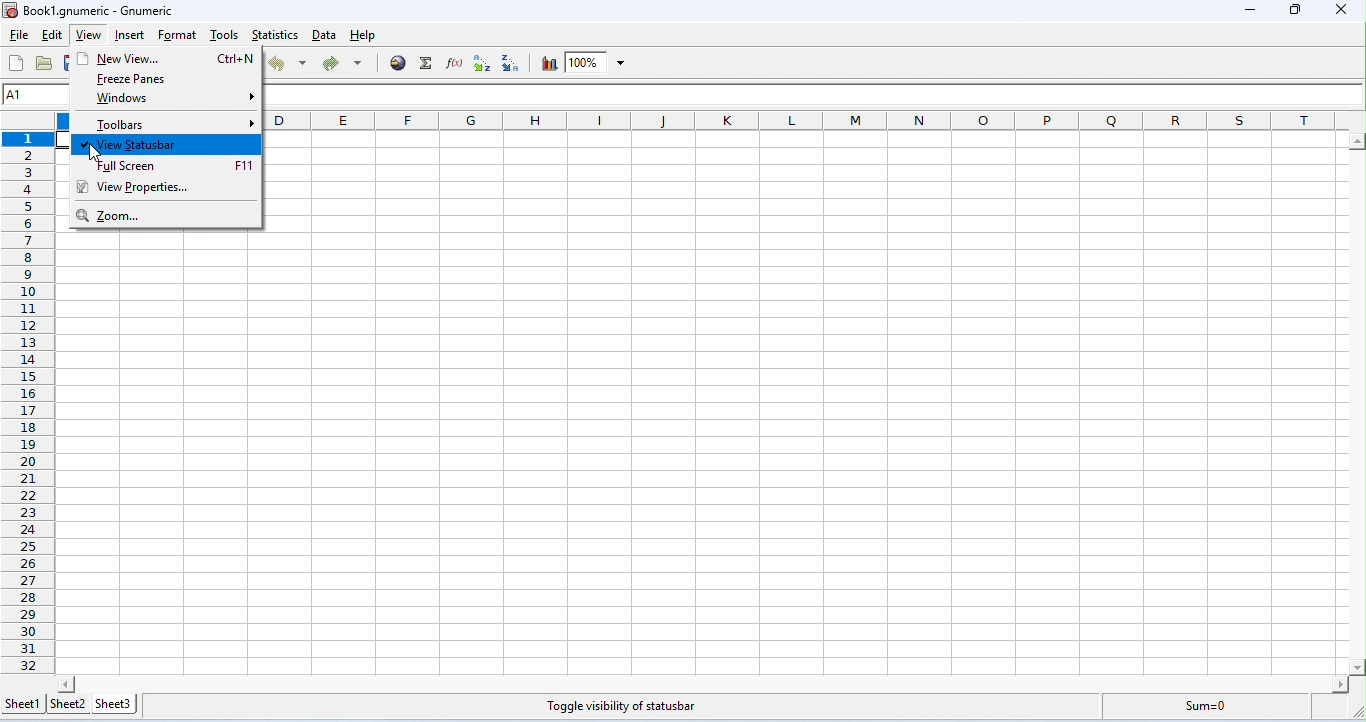  Describe the element at coordinates (816, 119) in the screenshot. I see `column headings` at that location.